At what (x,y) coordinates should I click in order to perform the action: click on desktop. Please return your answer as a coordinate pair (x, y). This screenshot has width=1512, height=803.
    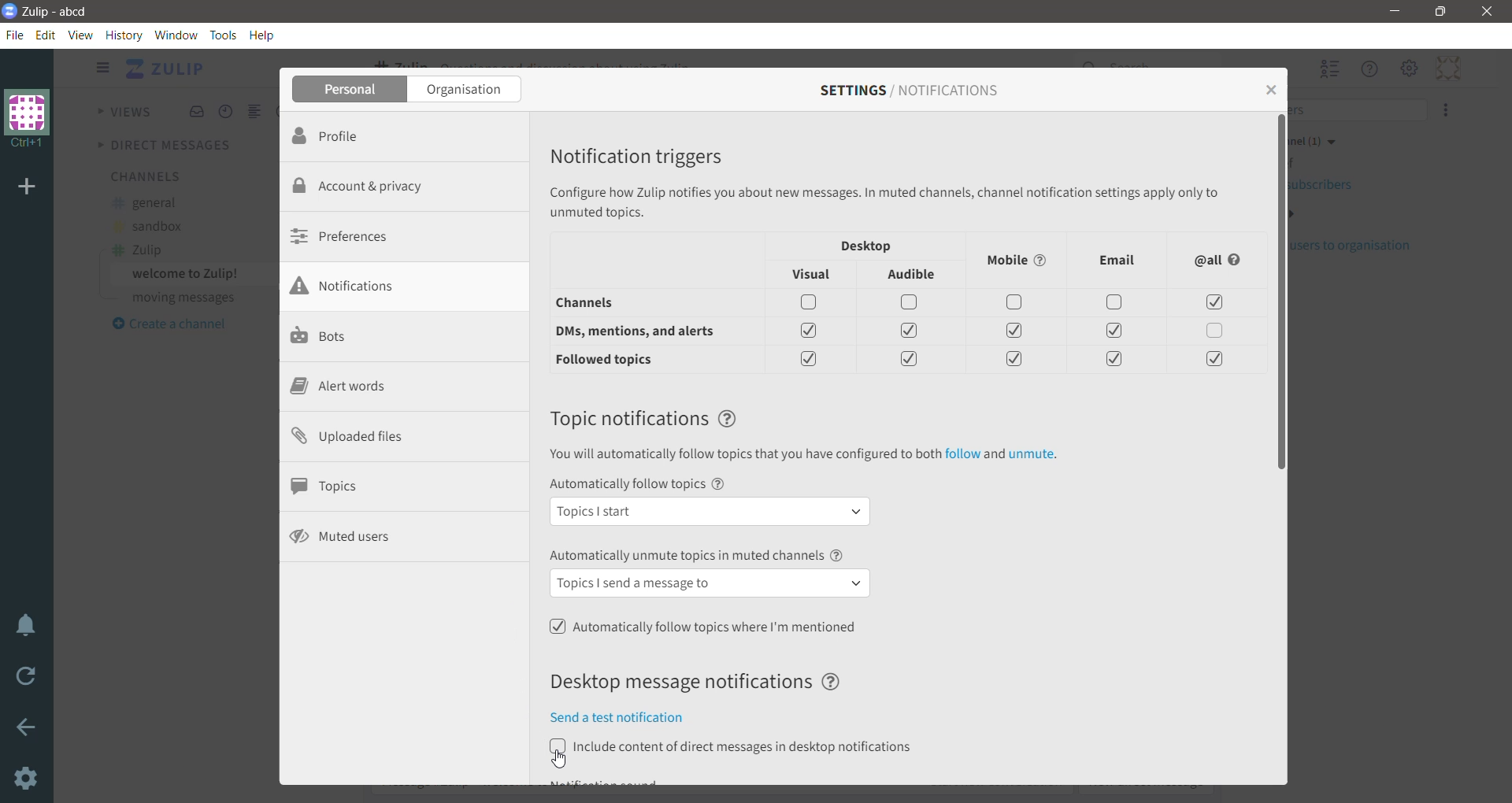
    Looking at the image, I should click on (868, 245).